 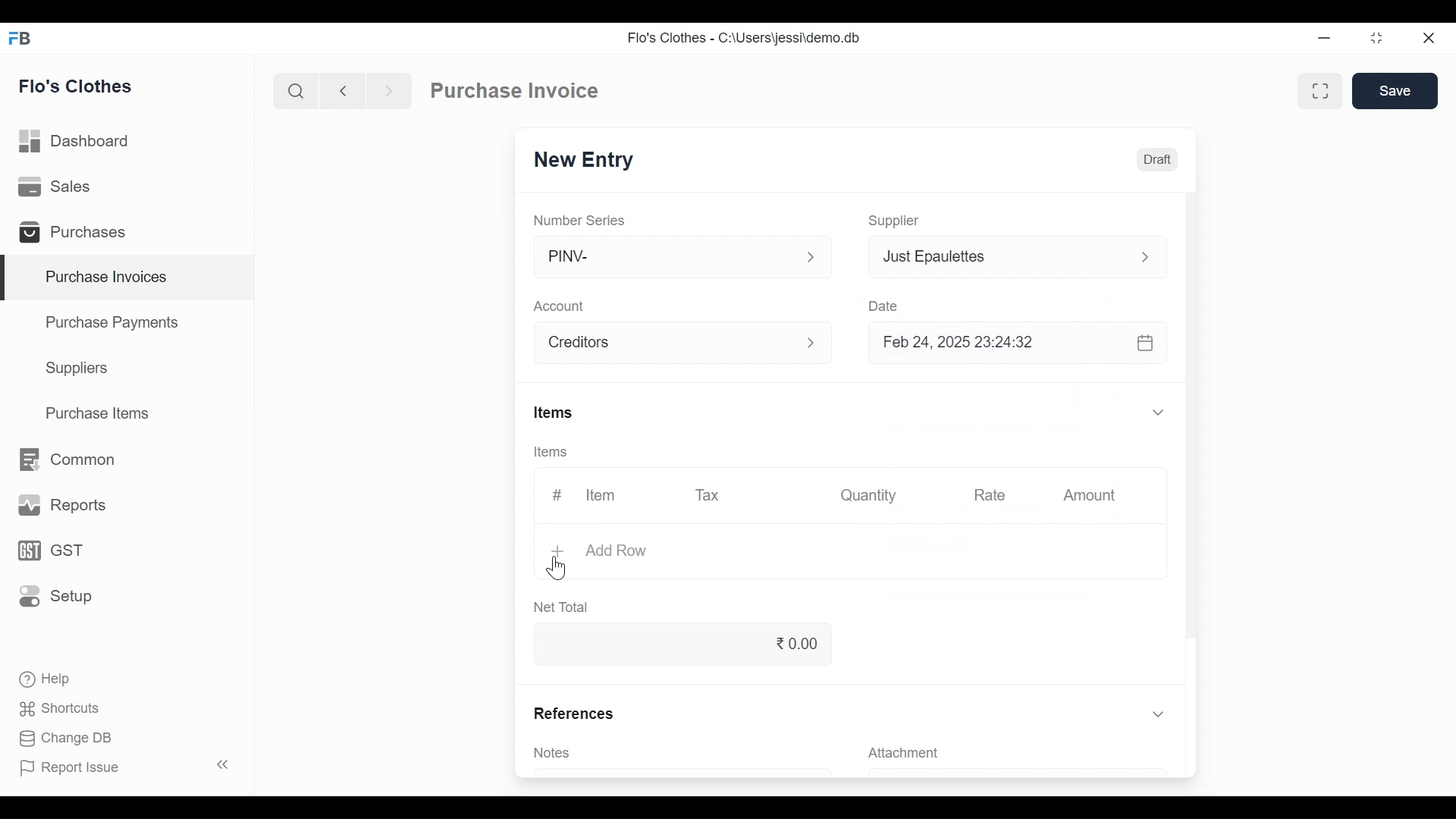 What do you see at coordinates (897, 221) in the screenshot?
I see `Supplier` at bounding box center [897, 221].